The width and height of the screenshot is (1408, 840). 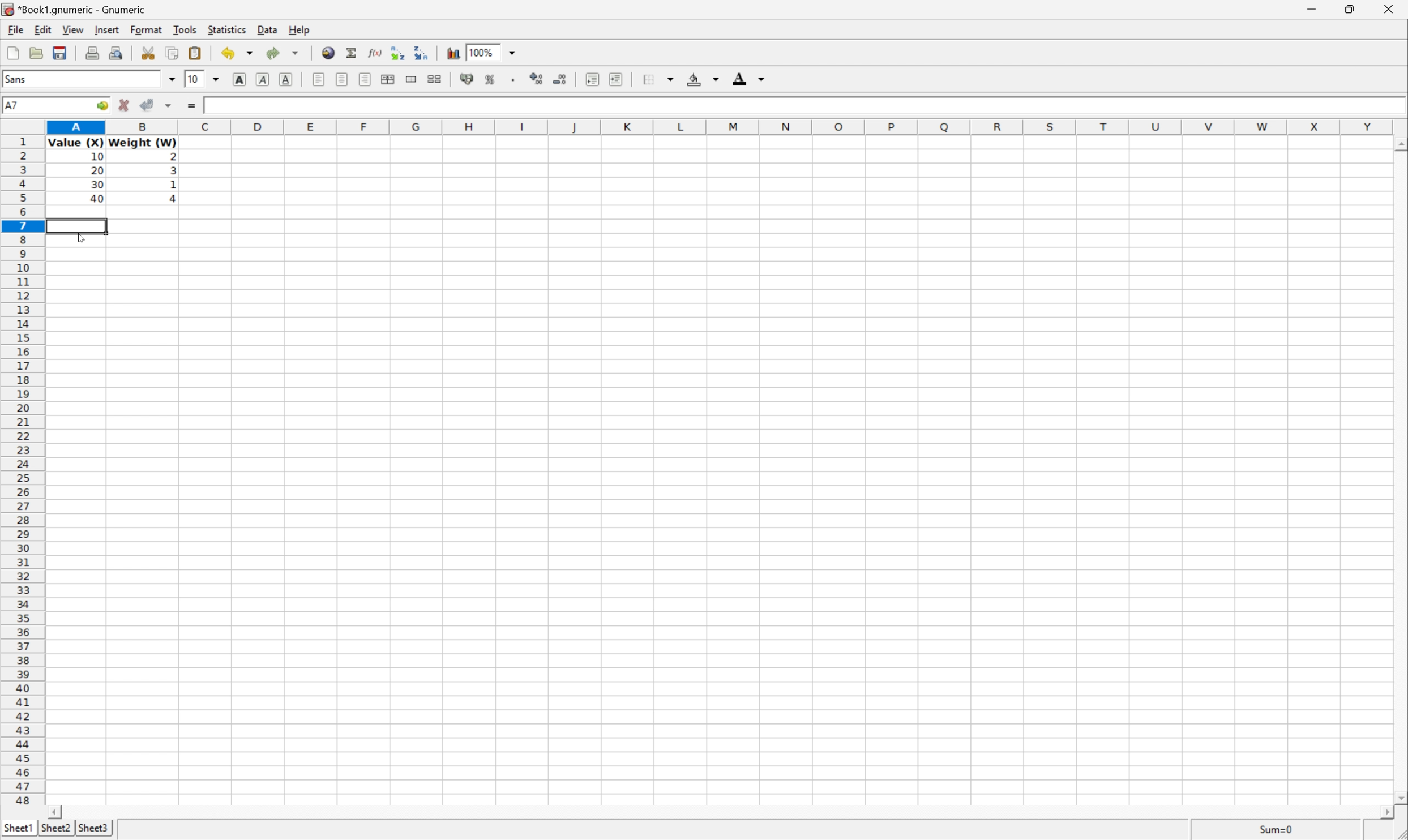 What do you see at coordinates (366, 79) in the screenshot?
I see `Align Right` at bounding box center [366, 79].